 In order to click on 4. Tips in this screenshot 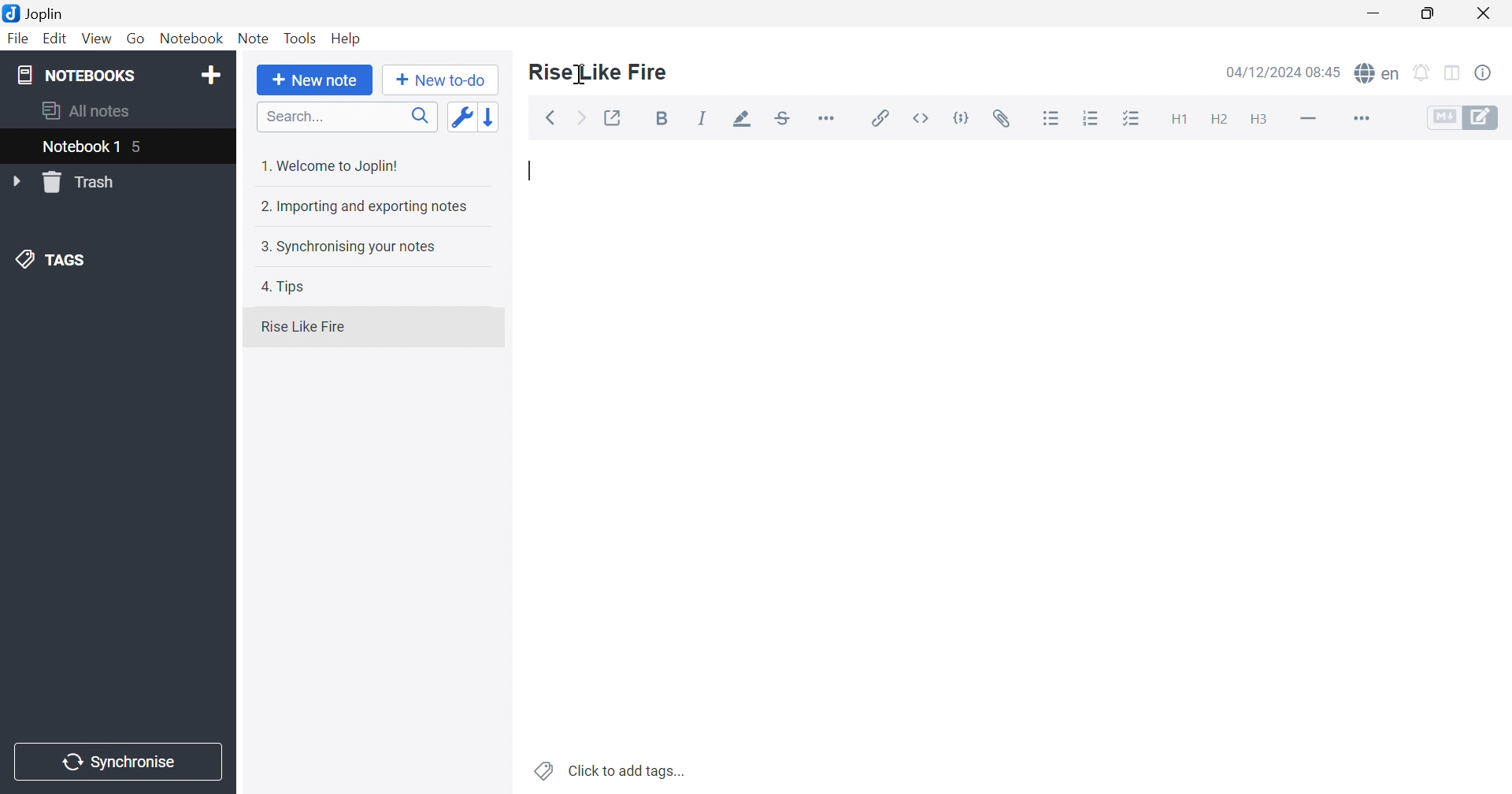, I will do `click(283, 288)`.